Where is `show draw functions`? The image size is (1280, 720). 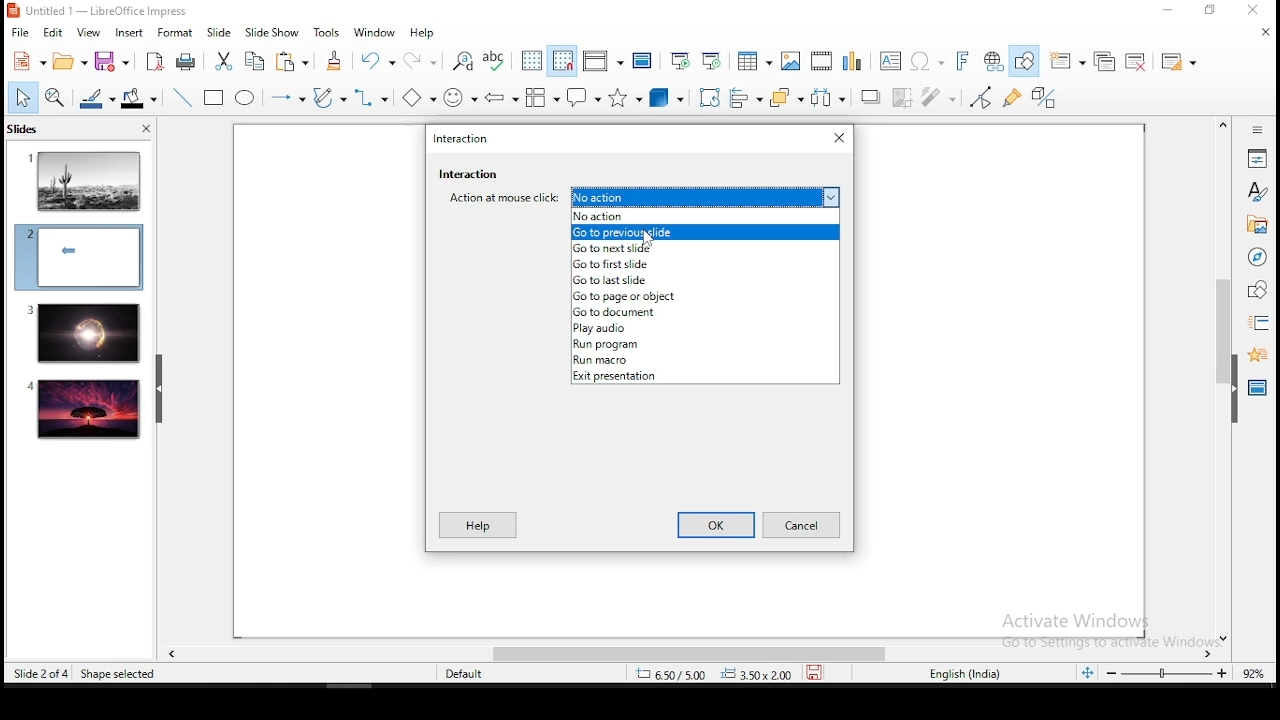 show draw functions is located at coordinates (1027, 61).